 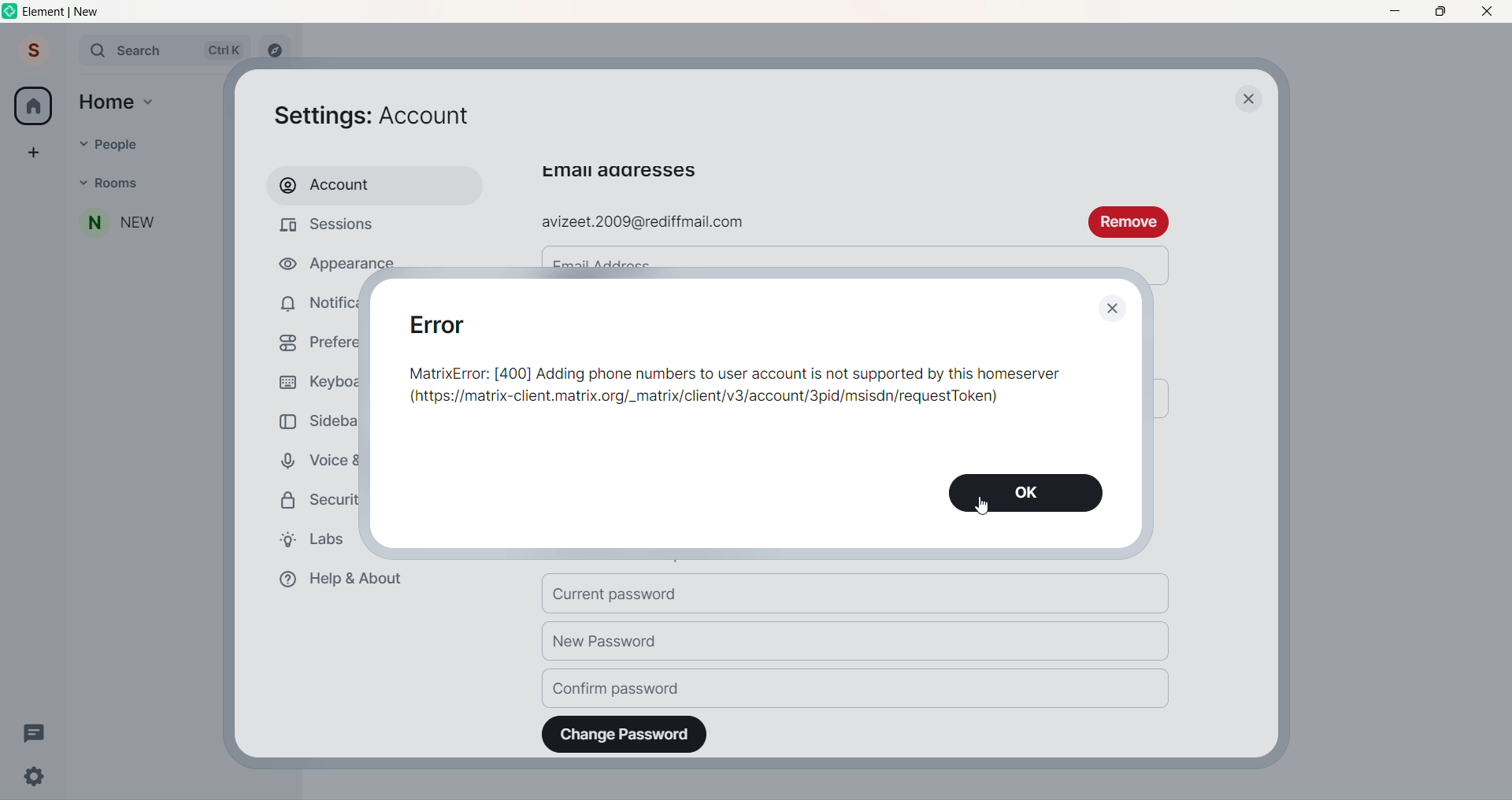 What do you see at coordinates (858, 594) in the screenshot?
I see `Current Password` at bounding box center [858, 594].